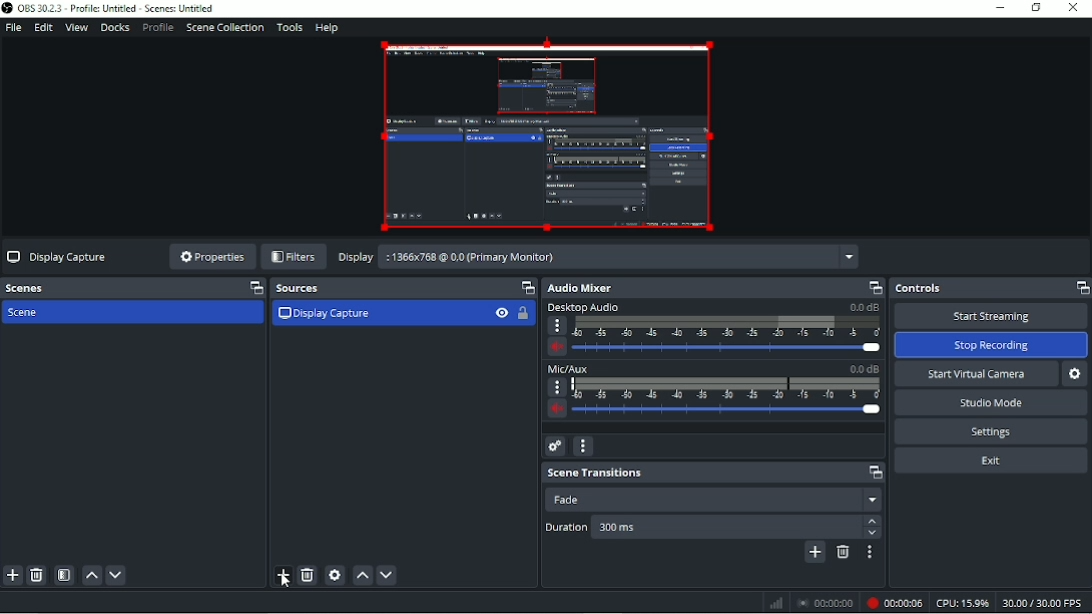 The width and height of the screenshot is (1092, 614). I want to click on Controls, so click(990, 288).